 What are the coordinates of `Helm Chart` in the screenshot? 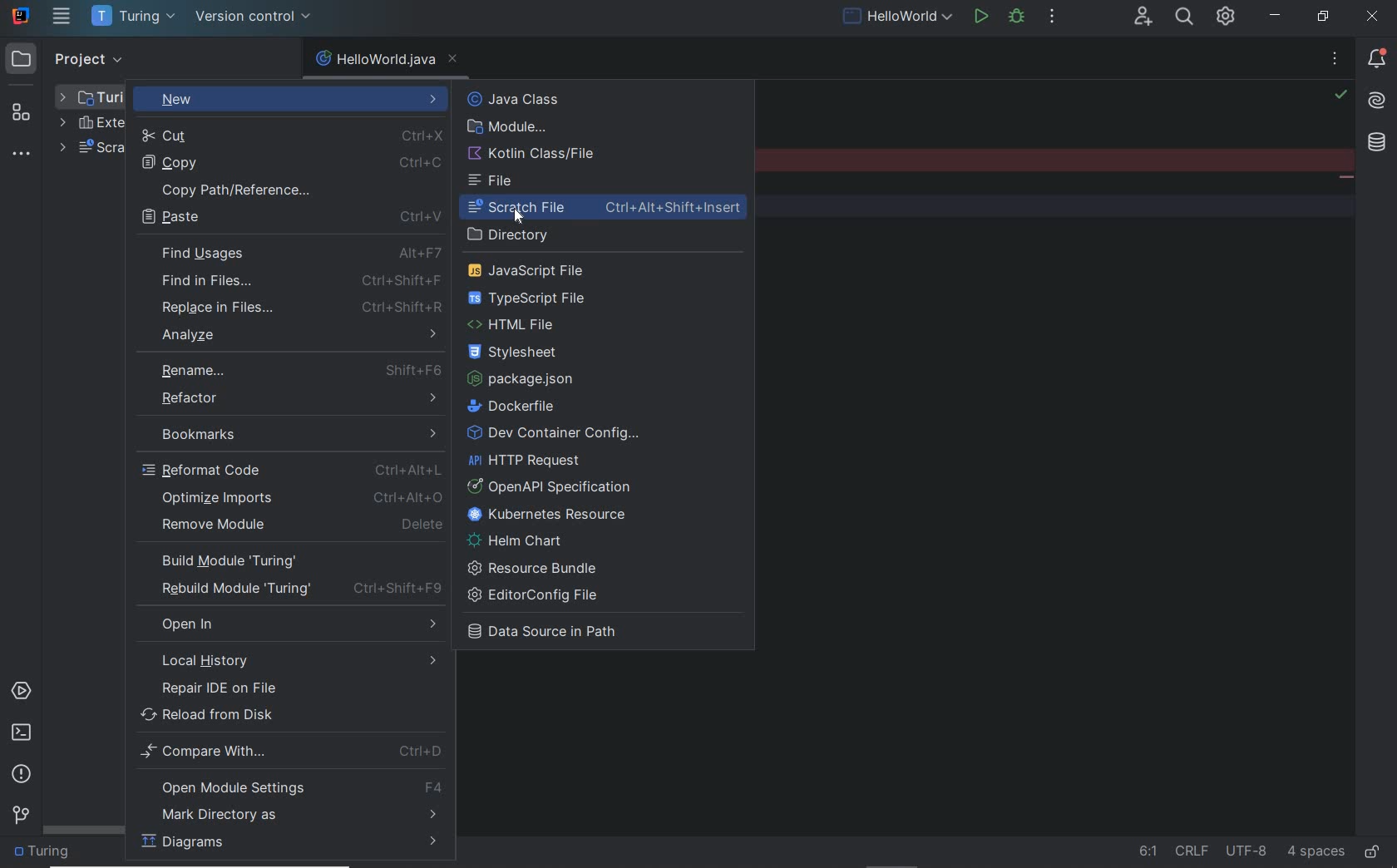 It's located at (521, 540).